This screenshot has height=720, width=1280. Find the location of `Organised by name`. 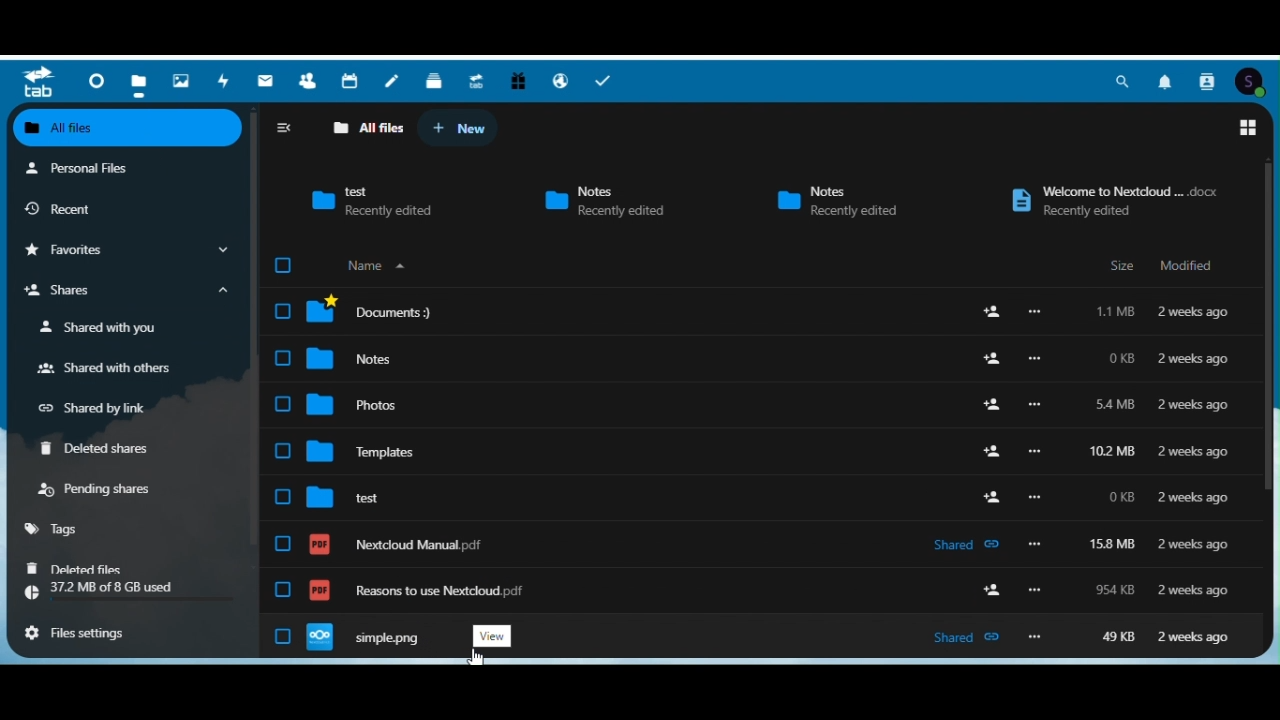

Organised by name is located at coordinates (375, 264).